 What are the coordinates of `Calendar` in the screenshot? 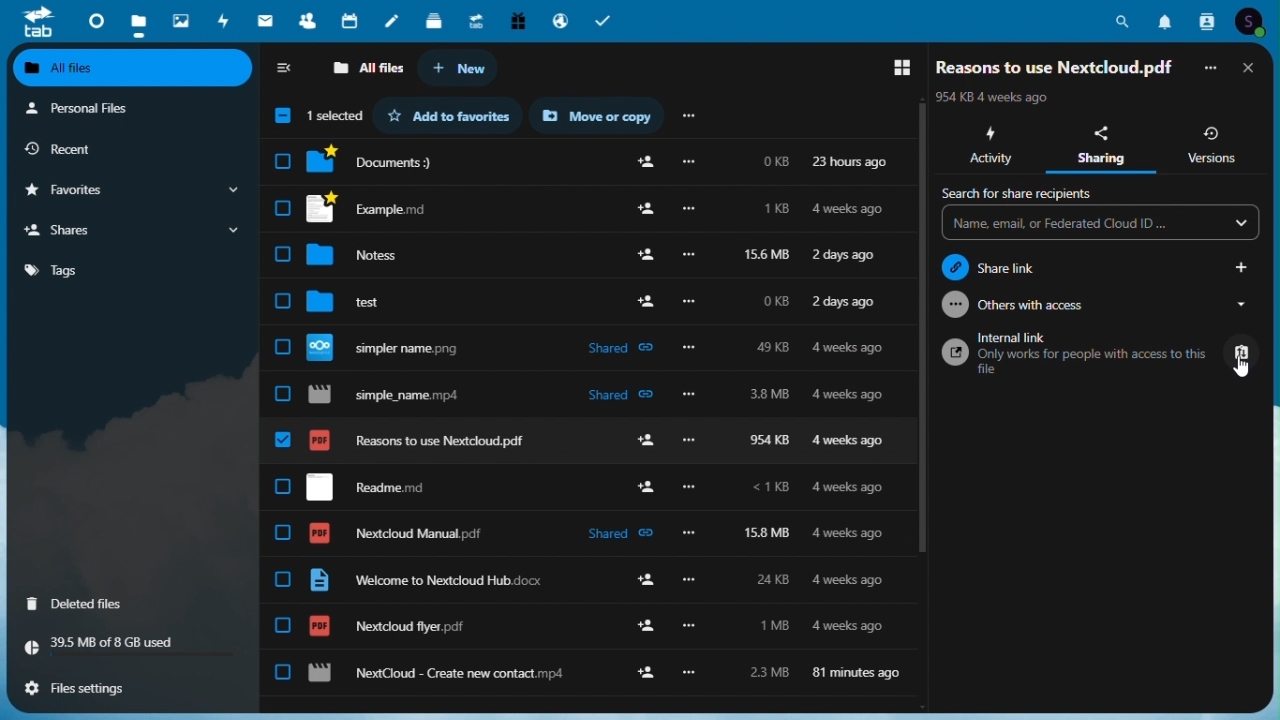 It's located at (350, 22).